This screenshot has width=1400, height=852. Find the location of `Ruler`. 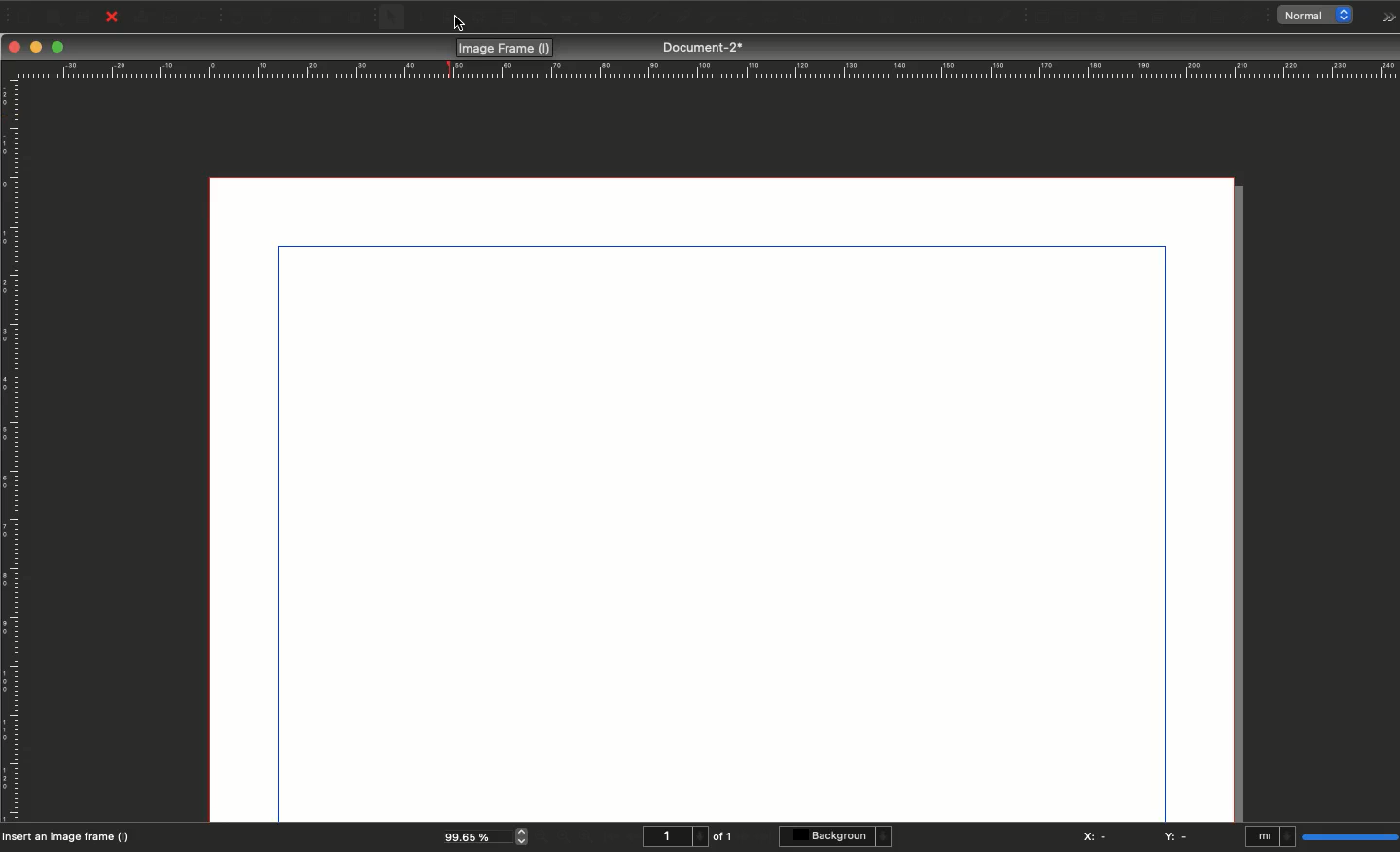

Ruler is located at coordinates (13, 451).